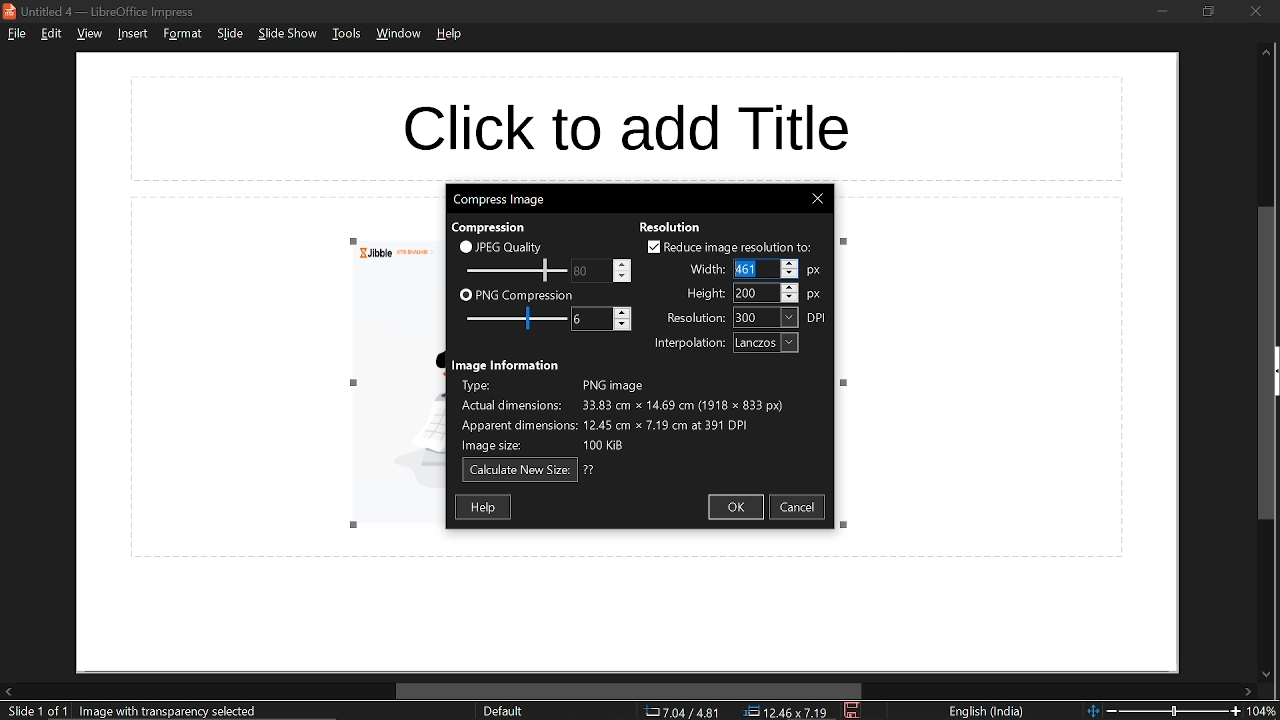 This screenshot has height=720, width=1280. Describe the element at coordinates (16, 35) in the screenshot. I see `file` at that location.